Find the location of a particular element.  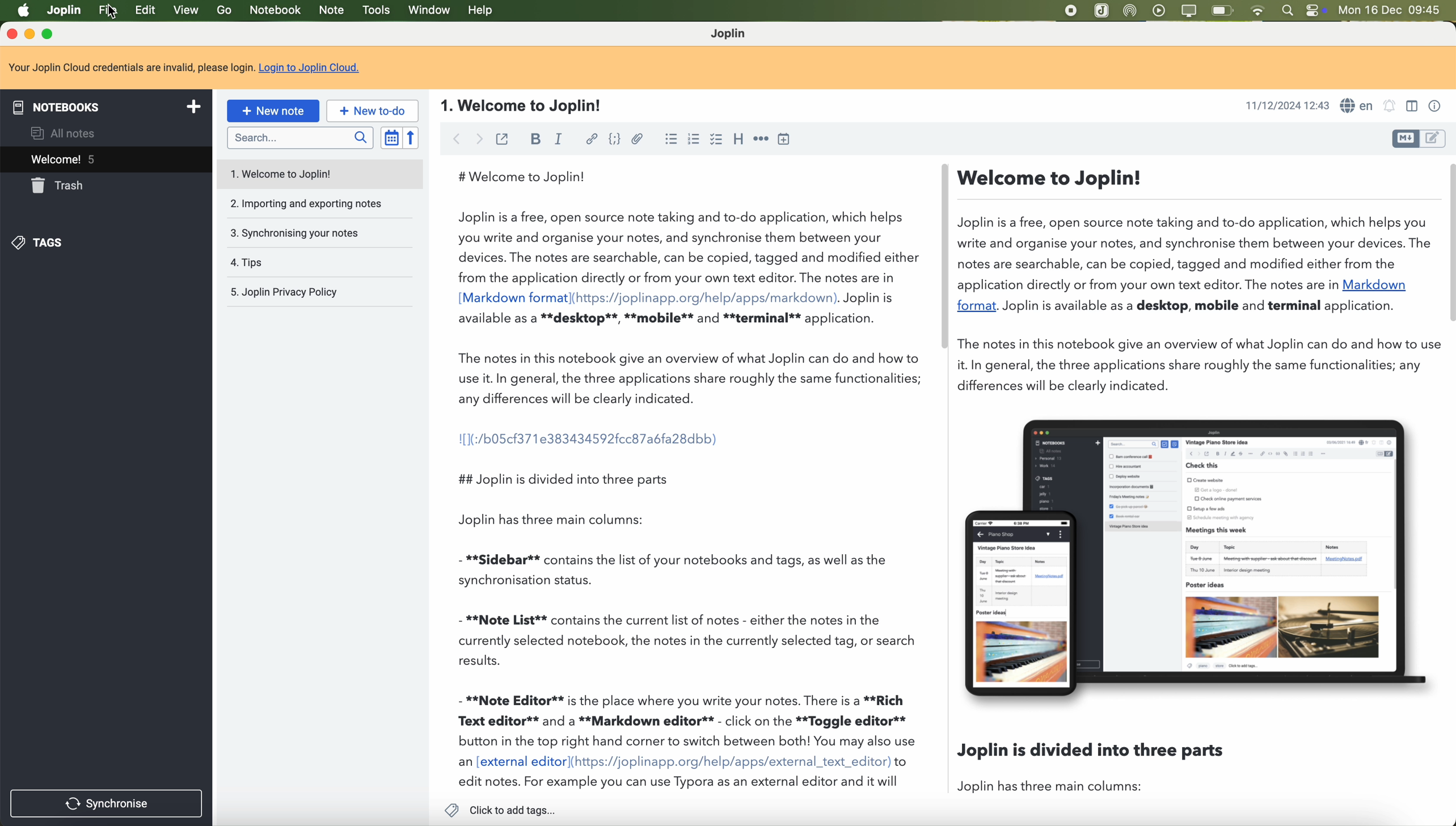

maximize is located at coordinates (50, 35).